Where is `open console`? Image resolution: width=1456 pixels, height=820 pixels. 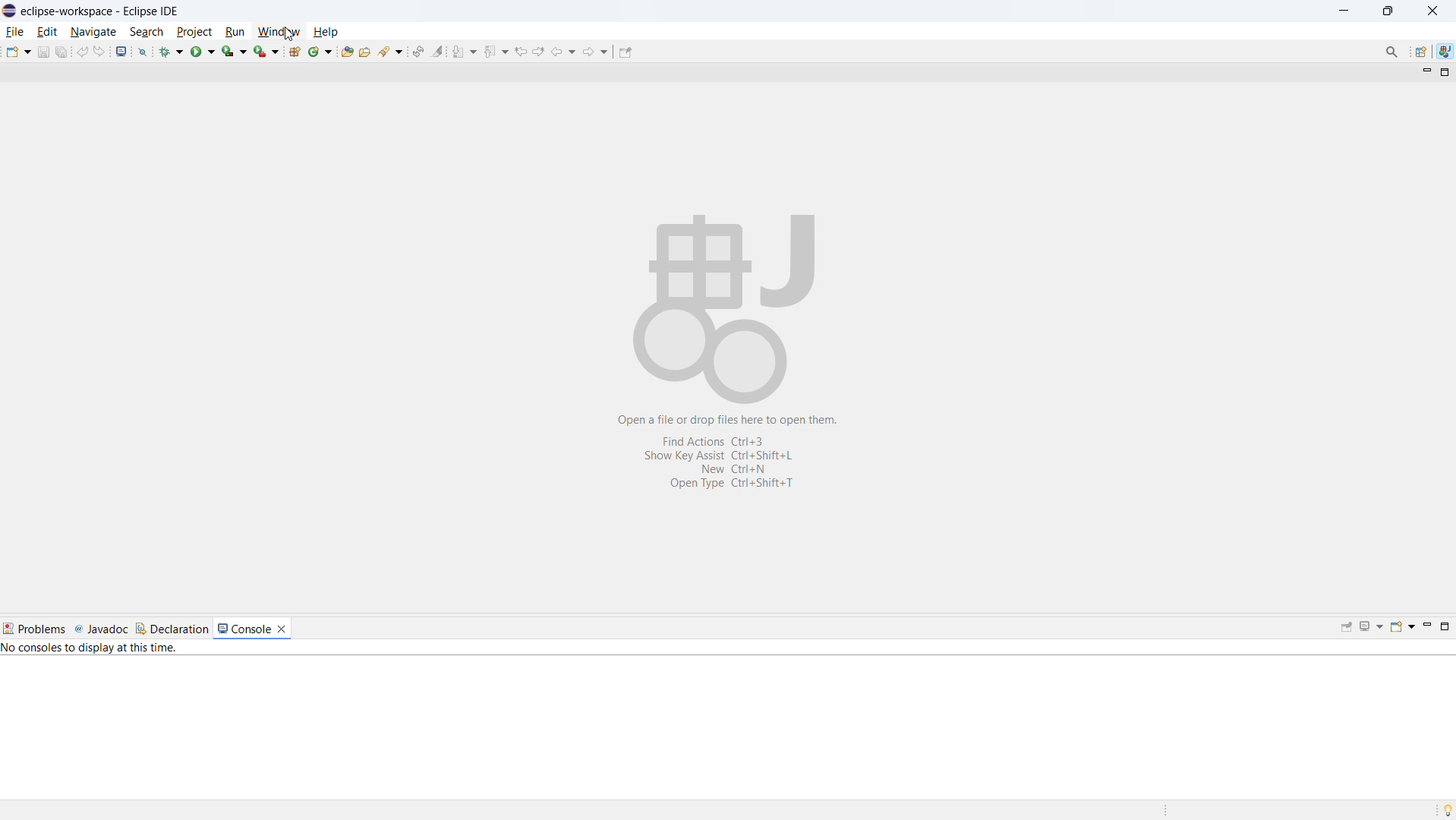
open console is located at coordinates (1401, 627).